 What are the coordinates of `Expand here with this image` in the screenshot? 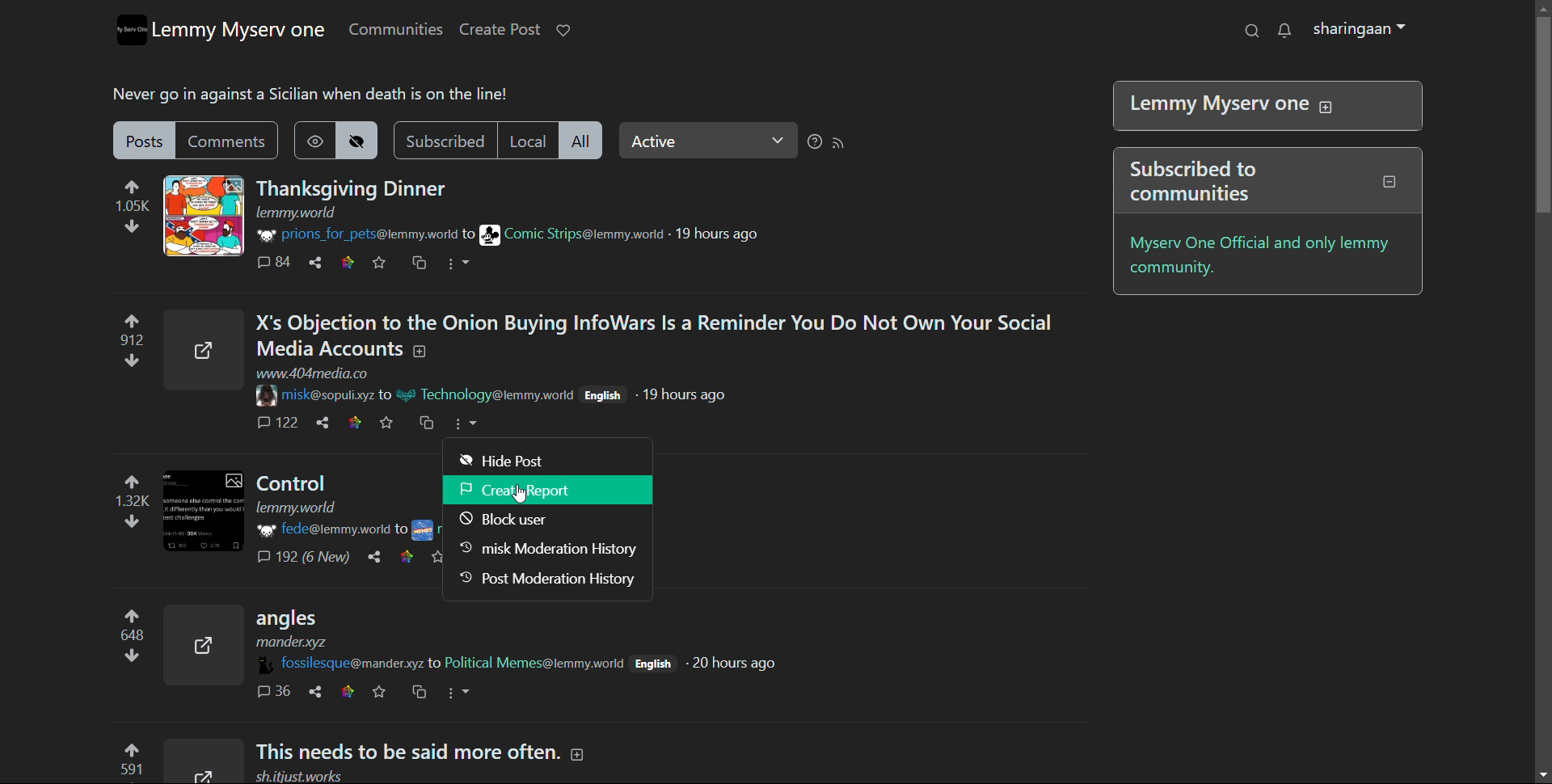 It's located at (196, 762).